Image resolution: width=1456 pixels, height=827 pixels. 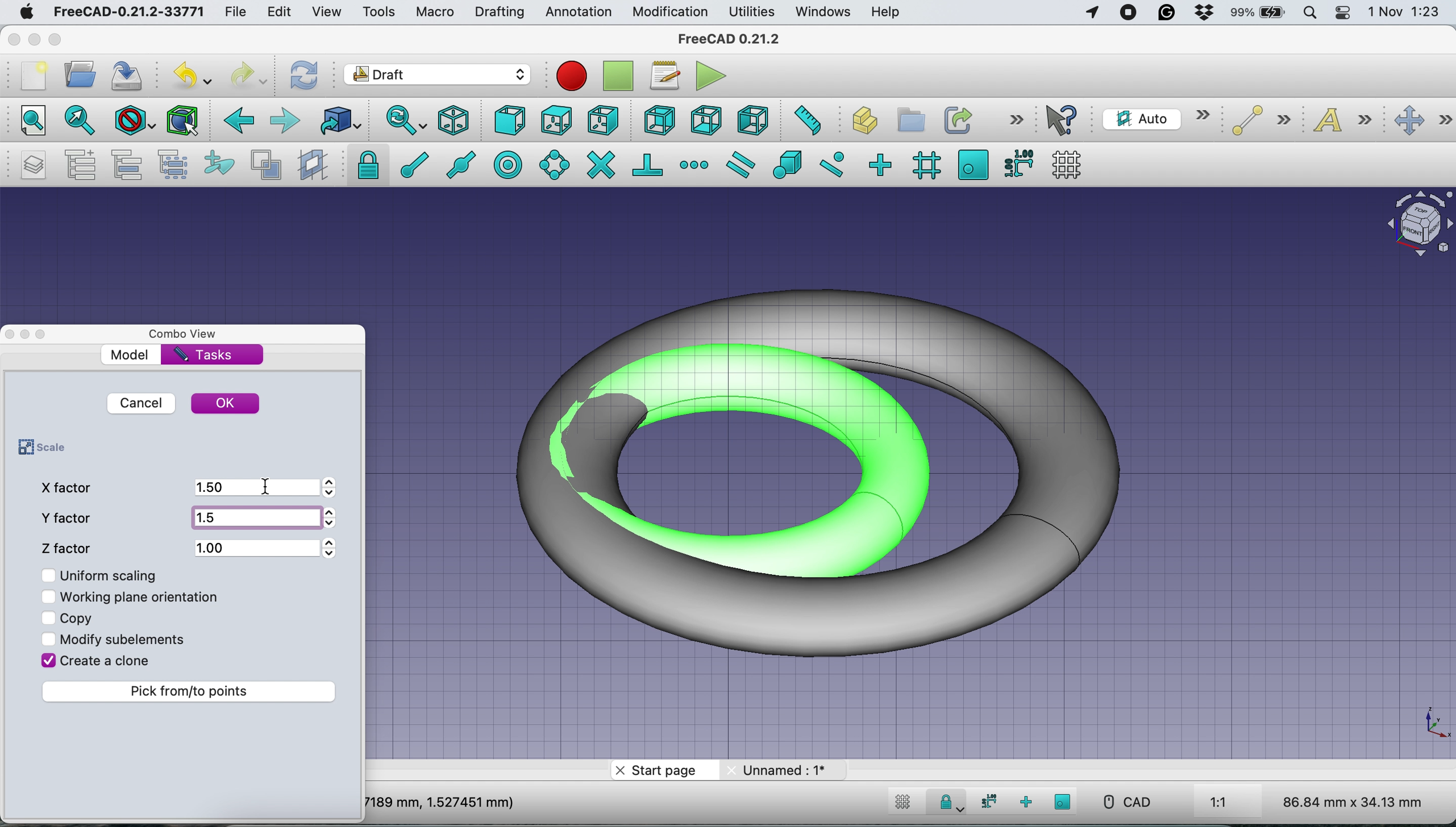 I want to click on freeCAD 0.21.2, so click(x=729, y=40).